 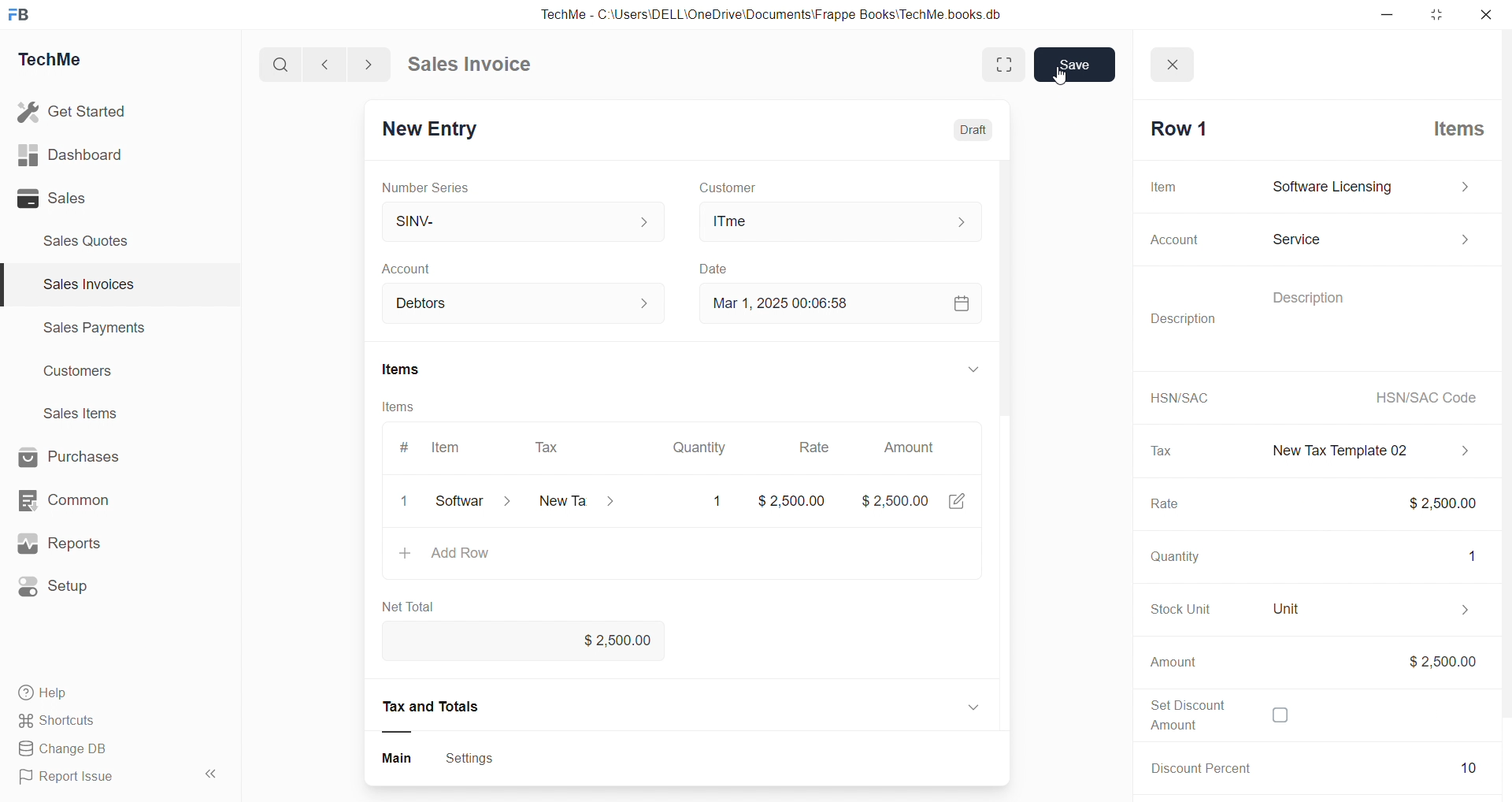 What do you see at coordinates (74, 544) in the screenshot?
I see `ws Reports` at bounding box center [74, 544].